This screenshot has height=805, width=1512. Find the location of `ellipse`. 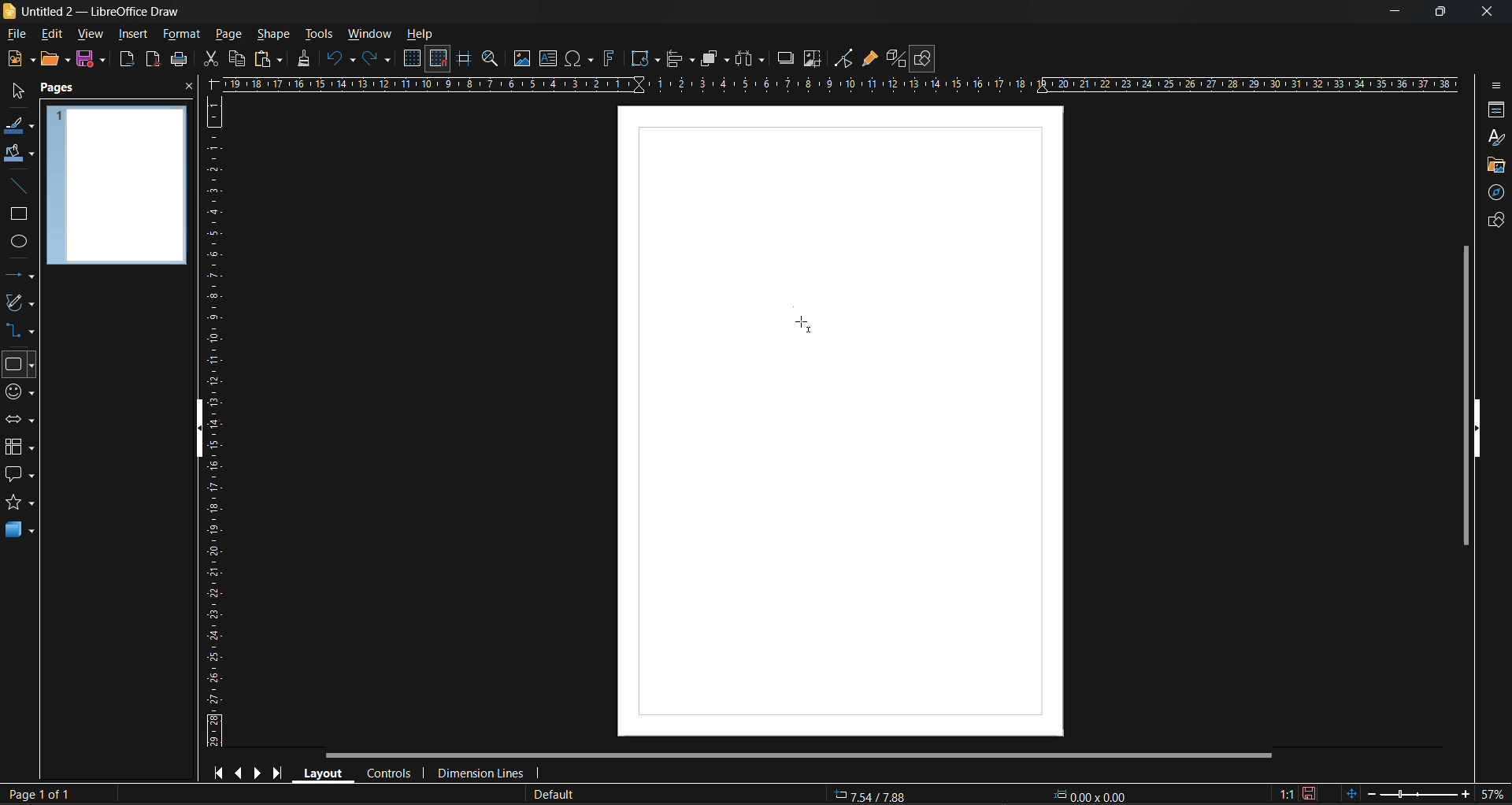

ellipse is located at coordinates (20, 243).